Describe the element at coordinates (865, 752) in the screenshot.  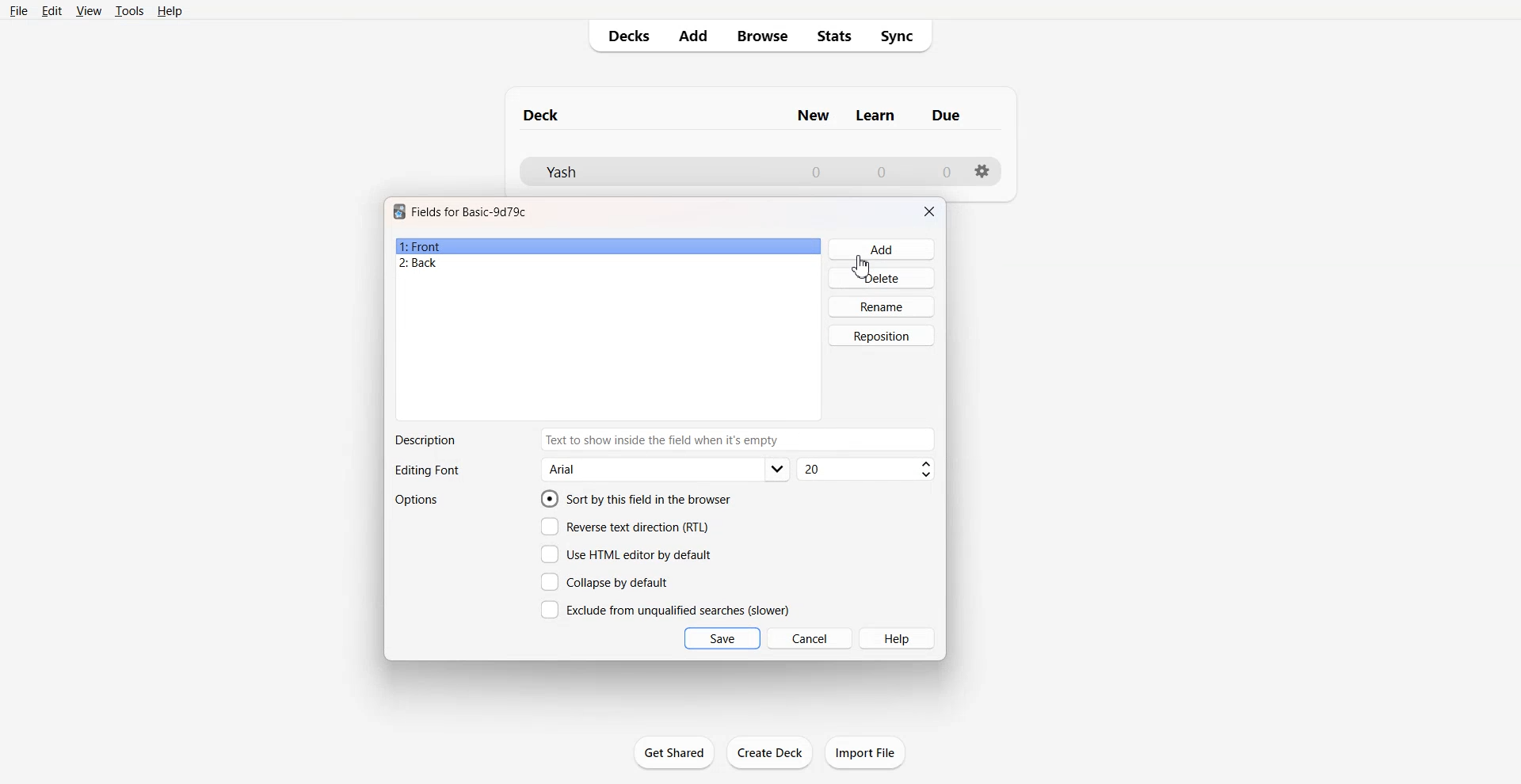
I see `Import File` at that location.